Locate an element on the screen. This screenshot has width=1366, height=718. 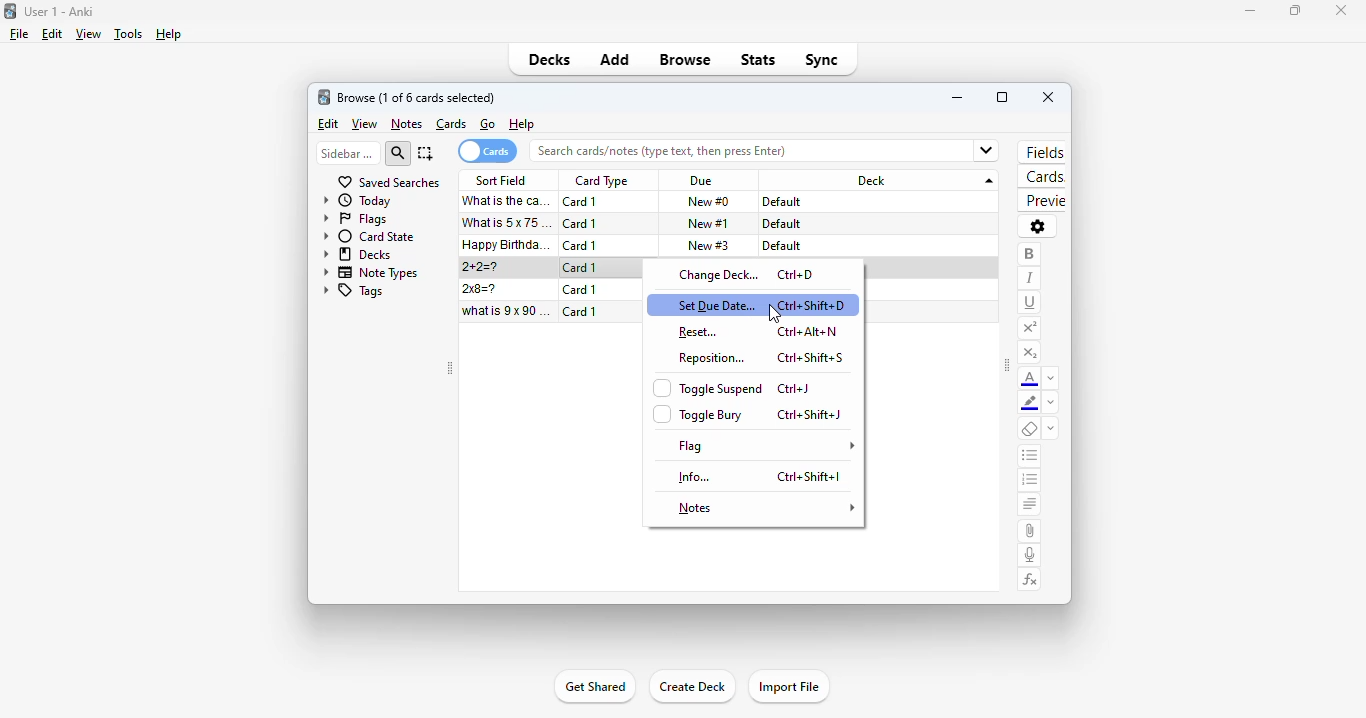
what is 9x90=? is located at coordinates (507, 311).